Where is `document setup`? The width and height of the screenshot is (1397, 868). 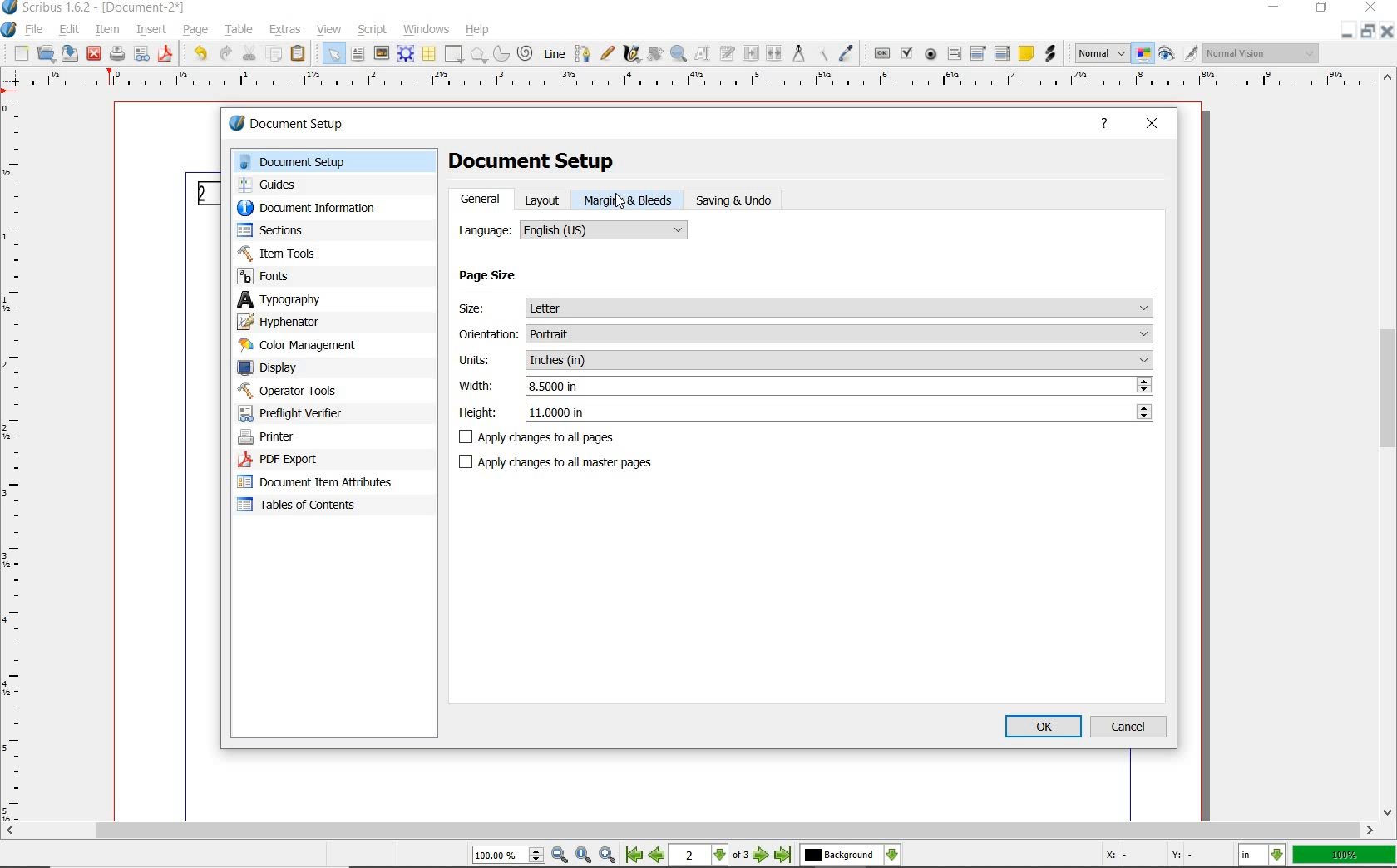 document setup is located at coordinates (338, 162).